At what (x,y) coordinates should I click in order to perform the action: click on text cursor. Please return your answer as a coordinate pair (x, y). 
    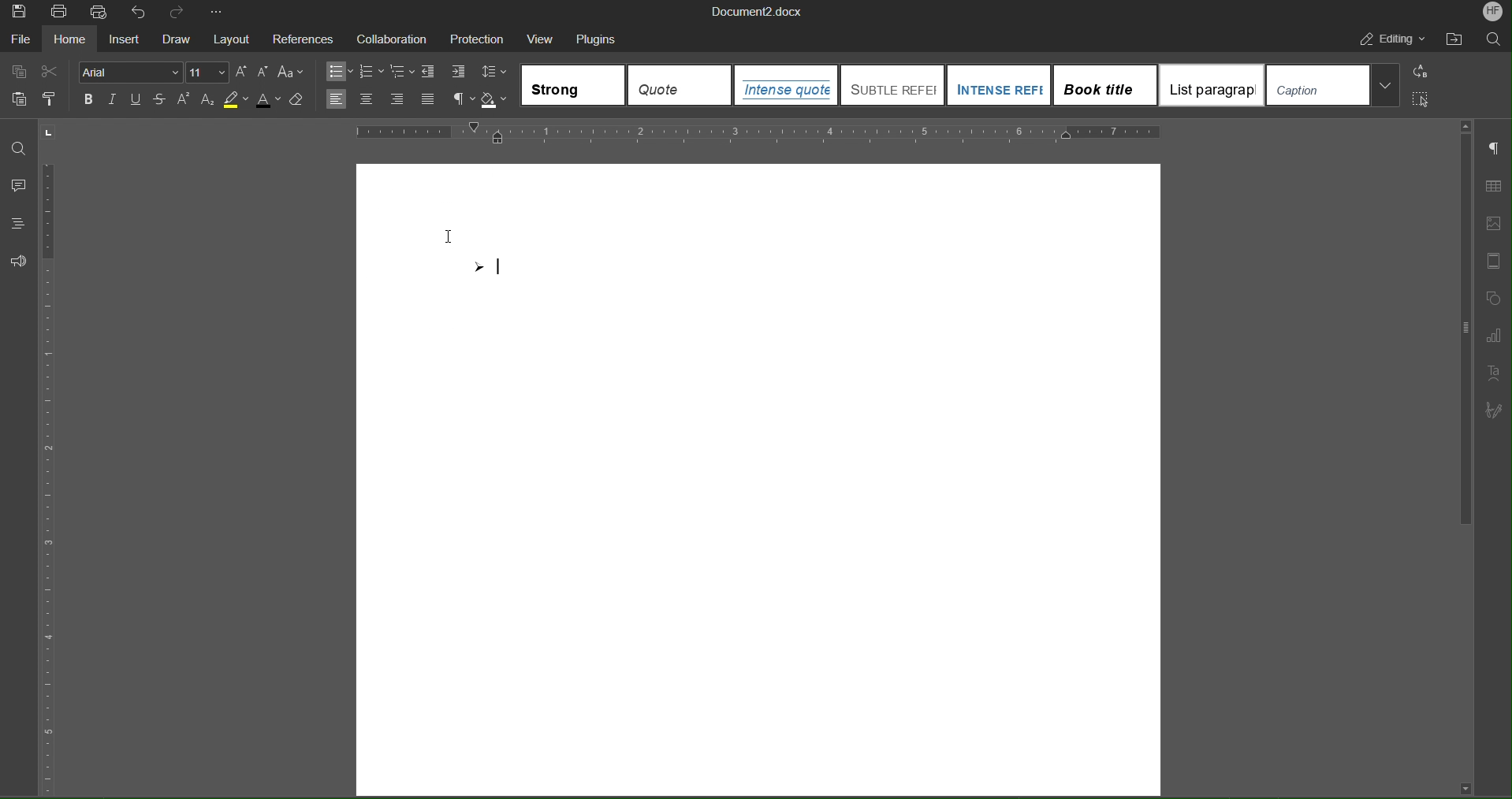
    Looking at the image, I should click on (457, 232).